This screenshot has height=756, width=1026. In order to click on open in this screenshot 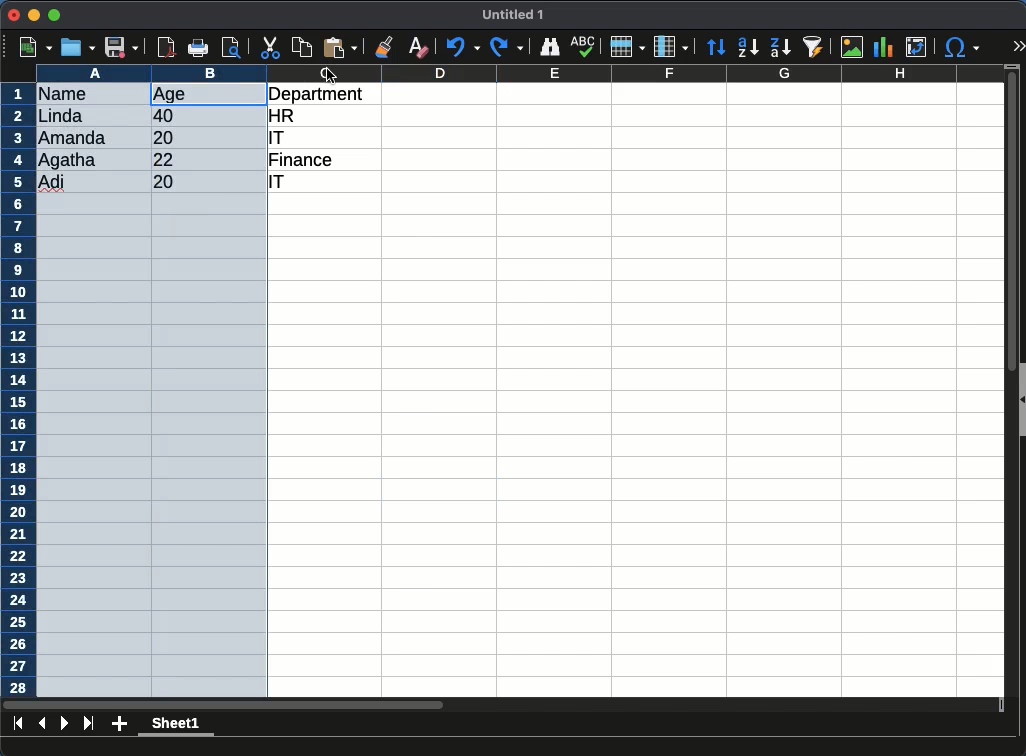, I will do `click(78, 47)`.